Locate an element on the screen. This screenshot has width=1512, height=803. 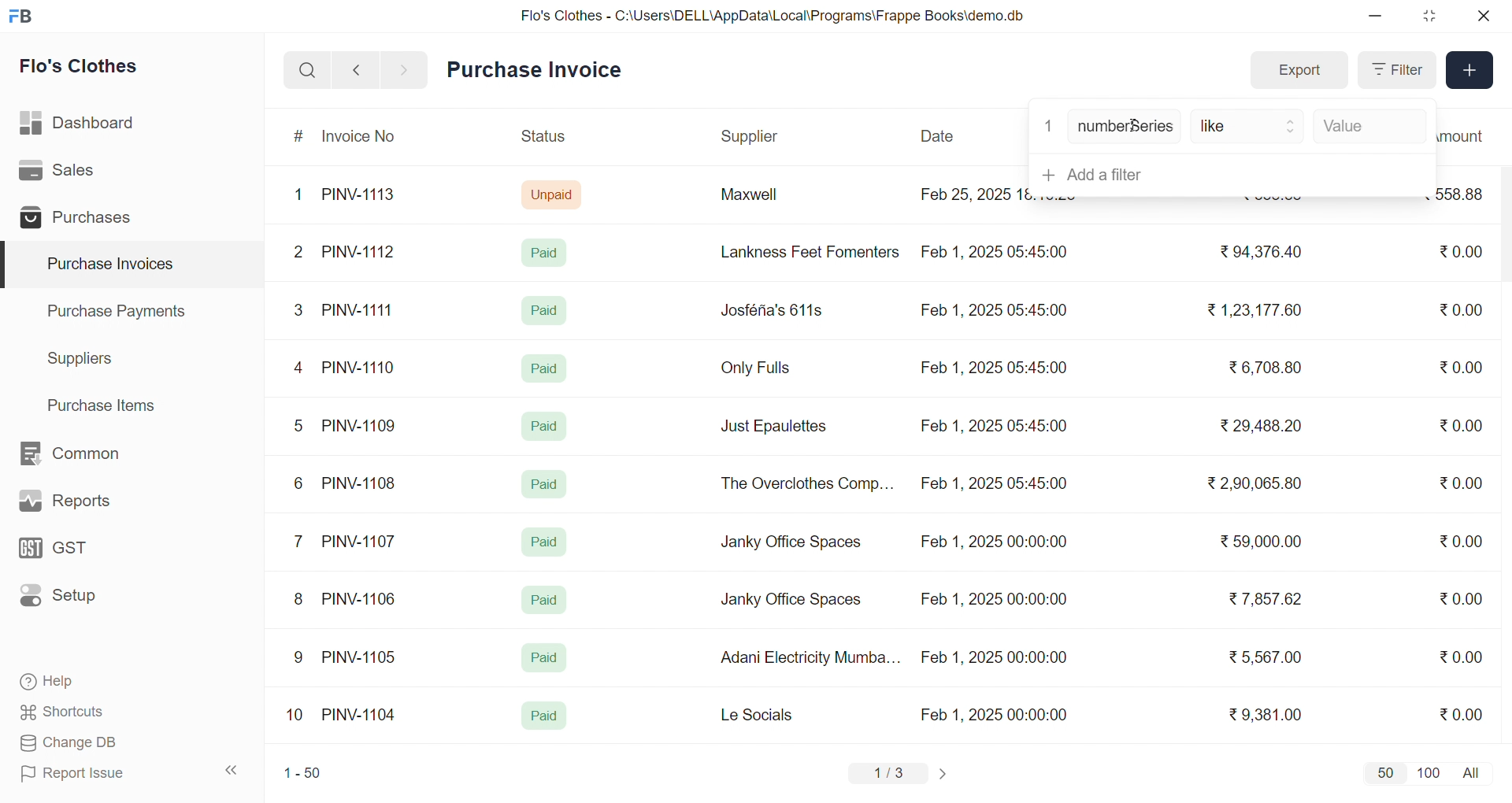
PINV-1112 is located at coordinates (358, 253).